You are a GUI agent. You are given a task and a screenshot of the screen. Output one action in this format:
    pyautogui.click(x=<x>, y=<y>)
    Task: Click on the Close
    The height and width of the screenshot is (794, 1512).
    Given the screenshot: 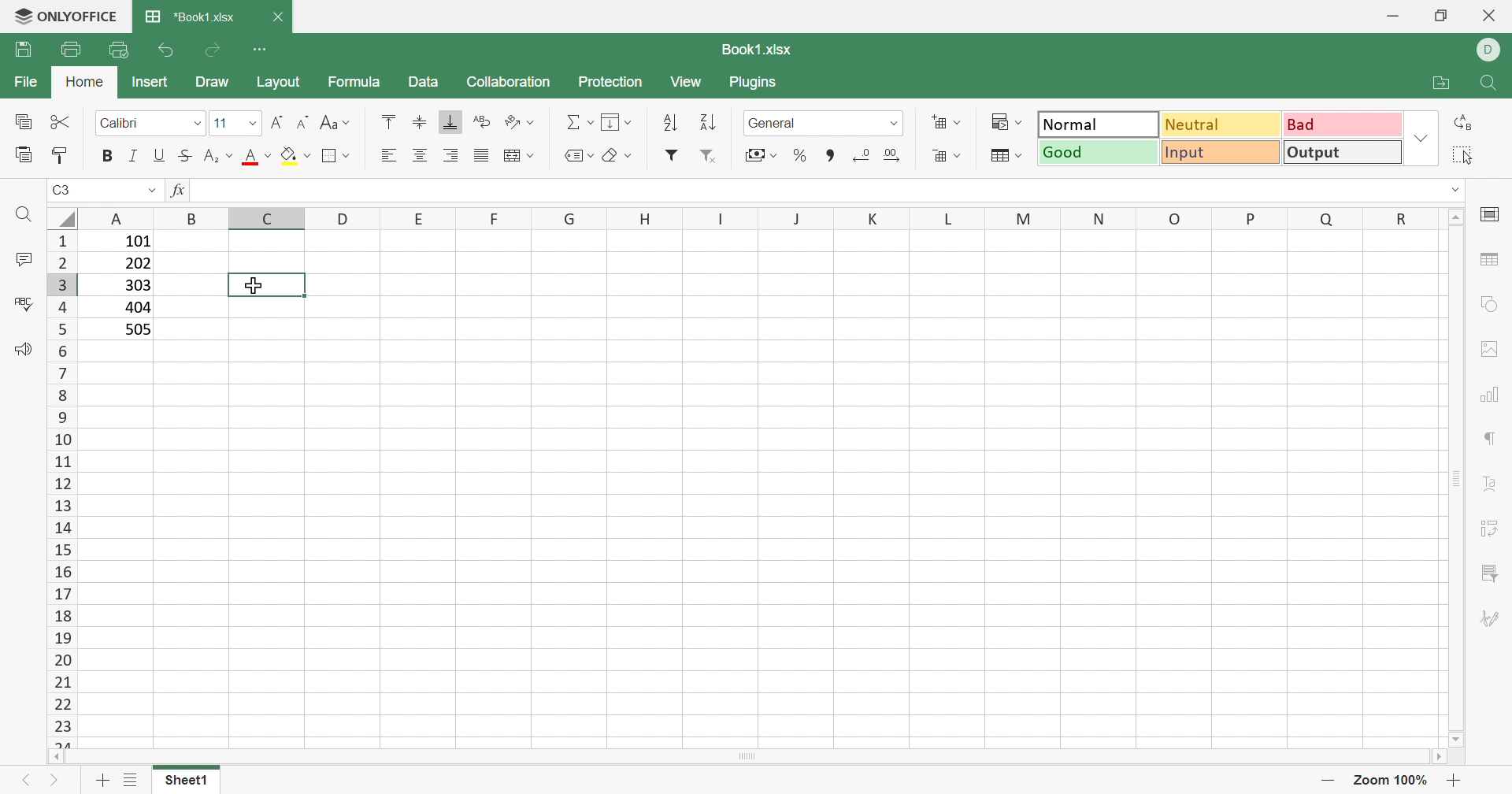 What is the action you would take?
    pyautogui.click(x=1488, y=17)
    